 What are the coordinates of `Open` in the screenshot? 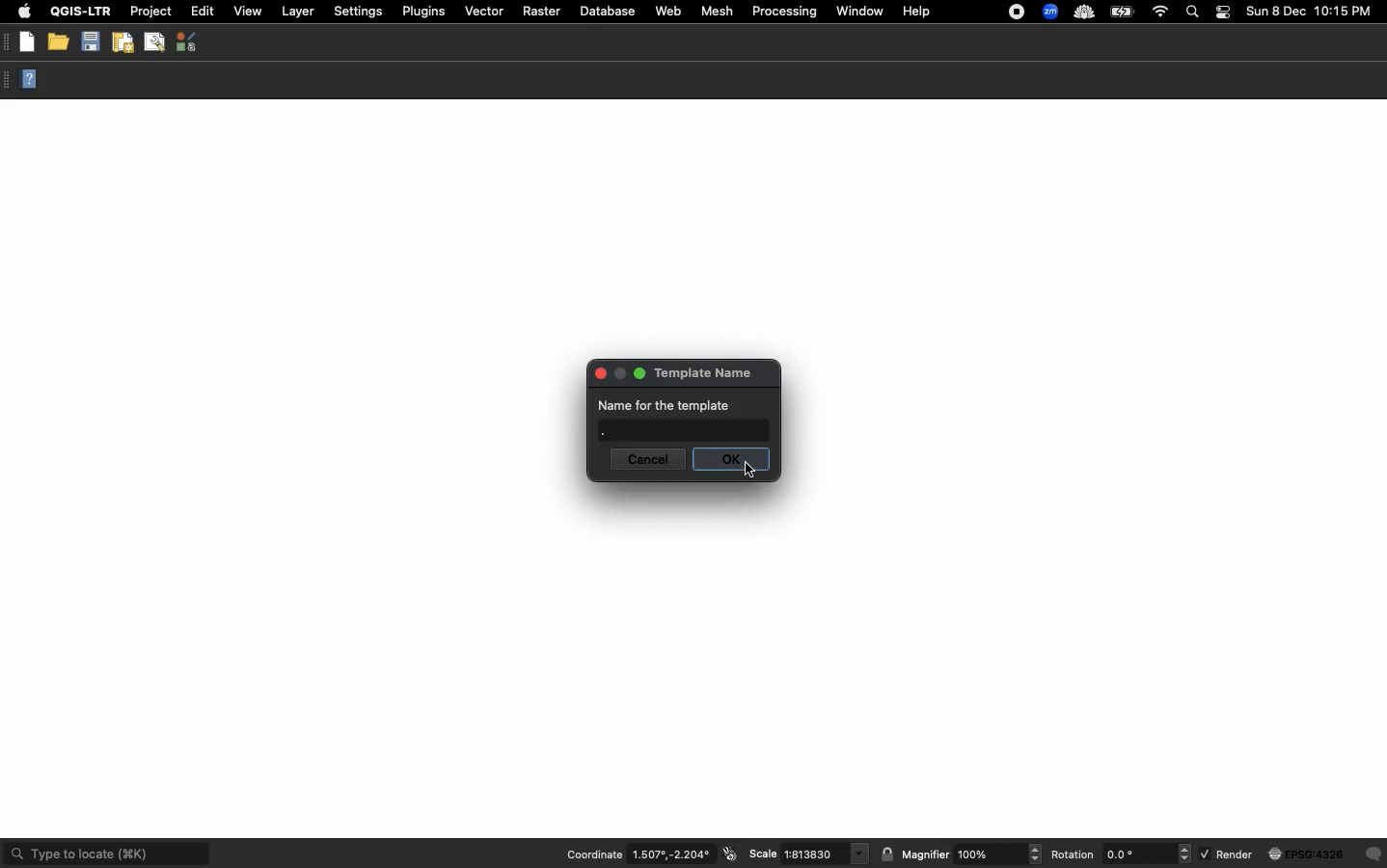 It's located at (58, 44).